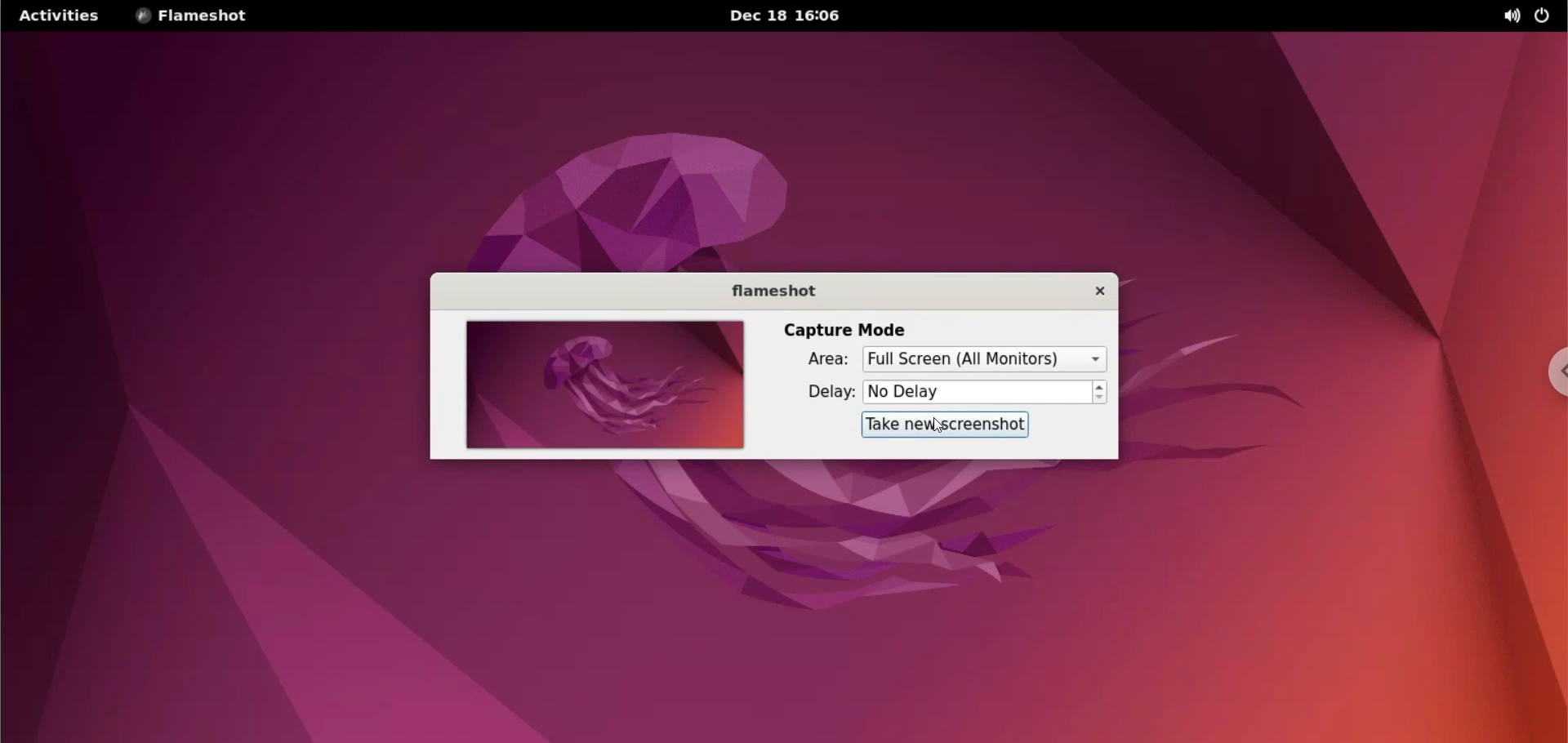 The image size is (1568, 743). Describe the element at coordinates (793, 16) in the screenshot. I see `date and time` at that location.